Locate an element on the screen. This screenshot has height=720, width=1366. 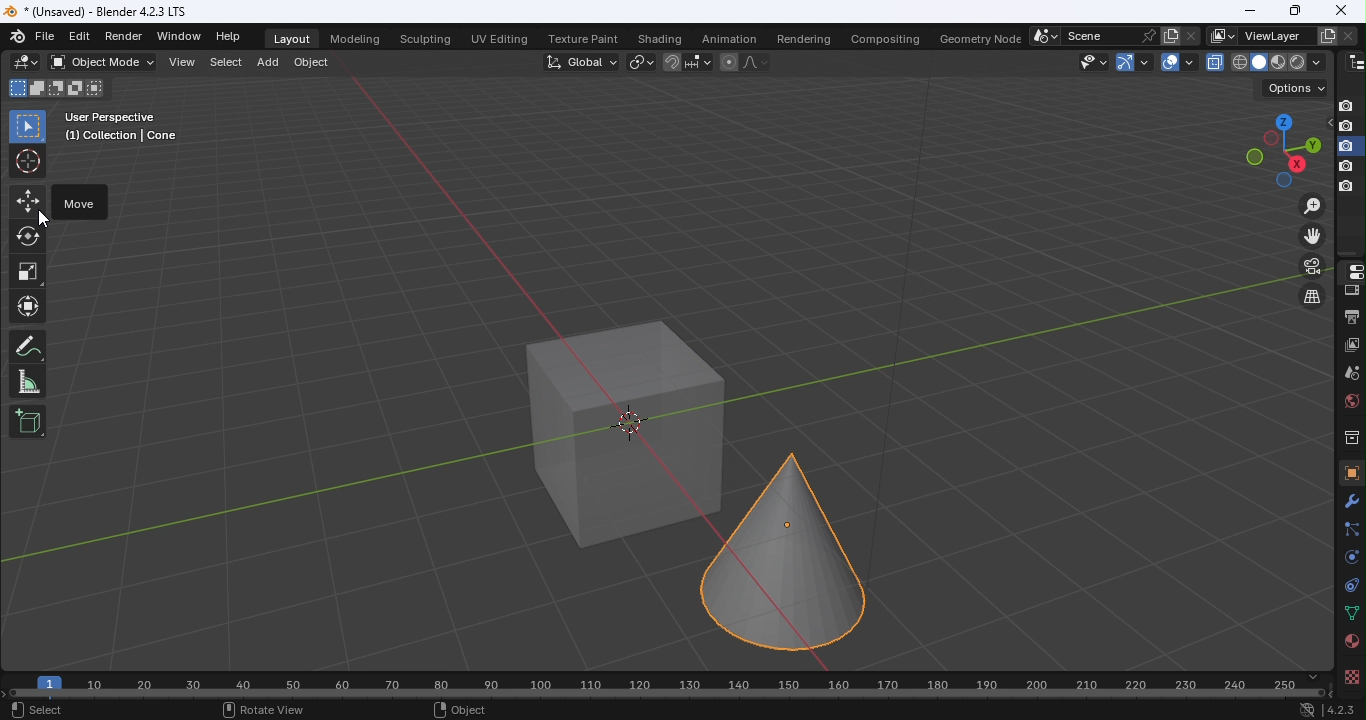
Select box is located at coordinates (27, 127).